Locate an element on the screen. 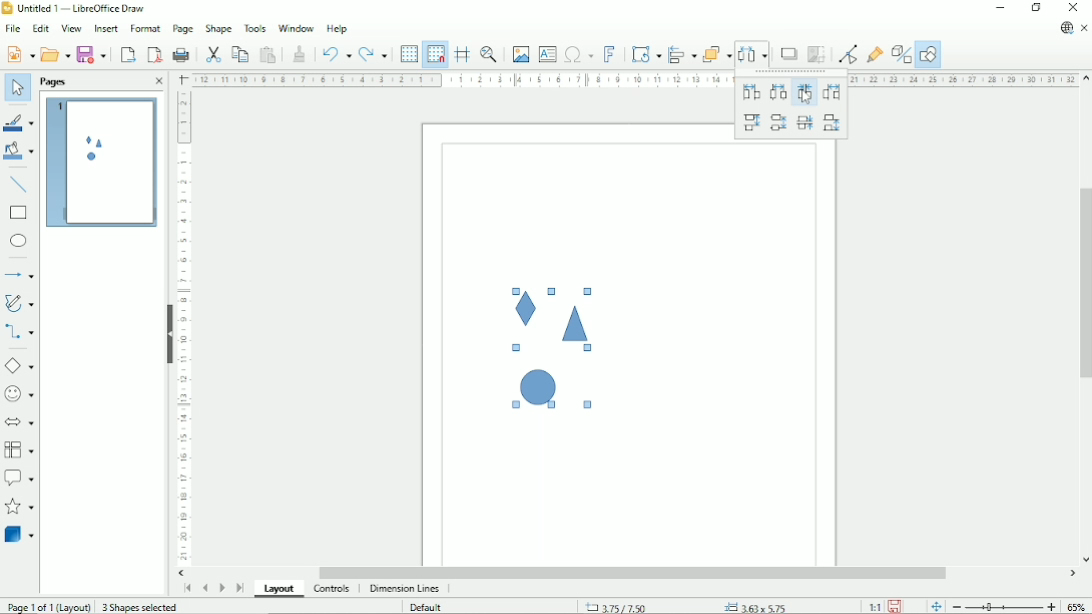  Zoom out/in is located at coordinates (1003, 607).